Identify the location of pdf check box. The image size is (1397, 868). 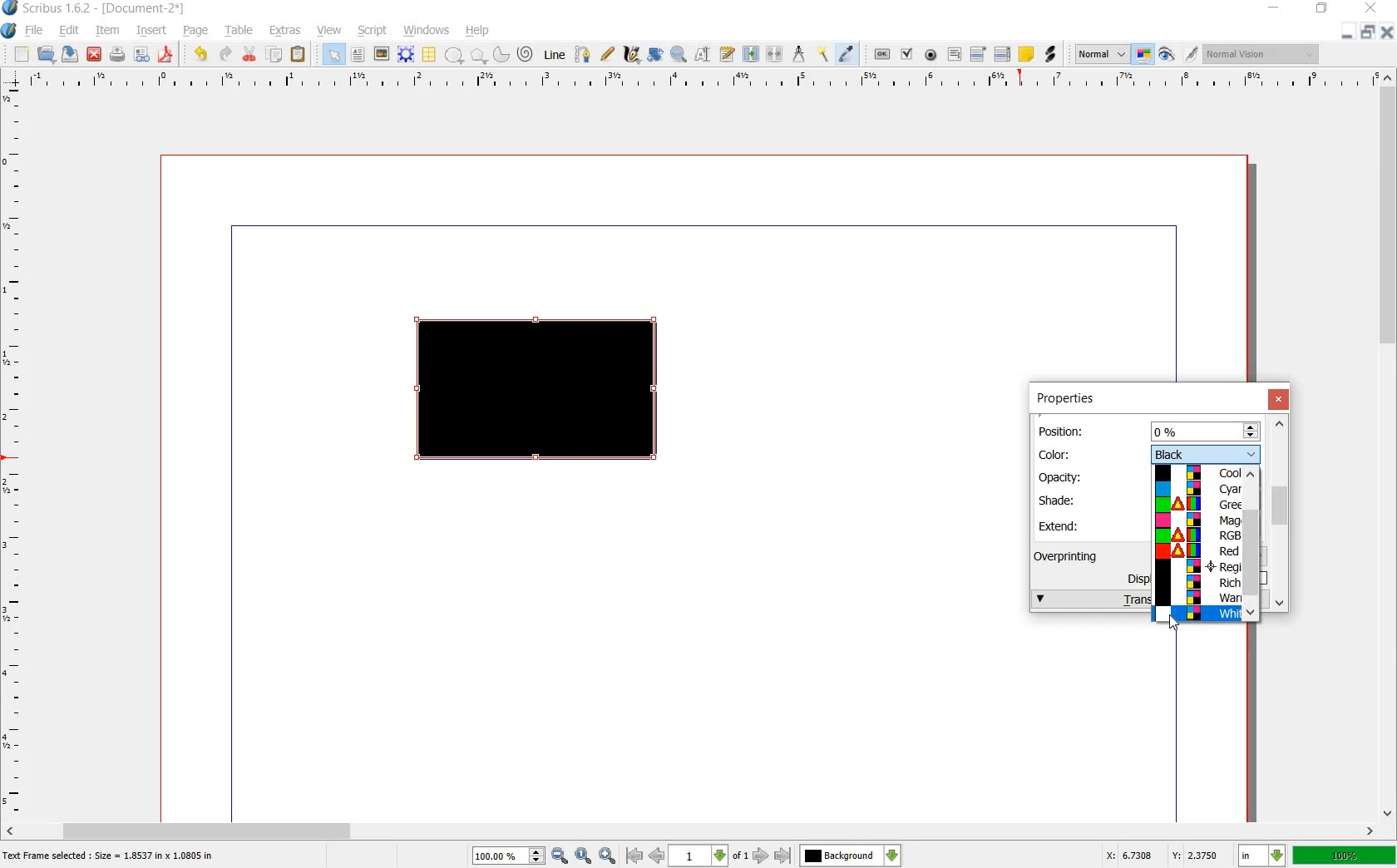
(906, 54).